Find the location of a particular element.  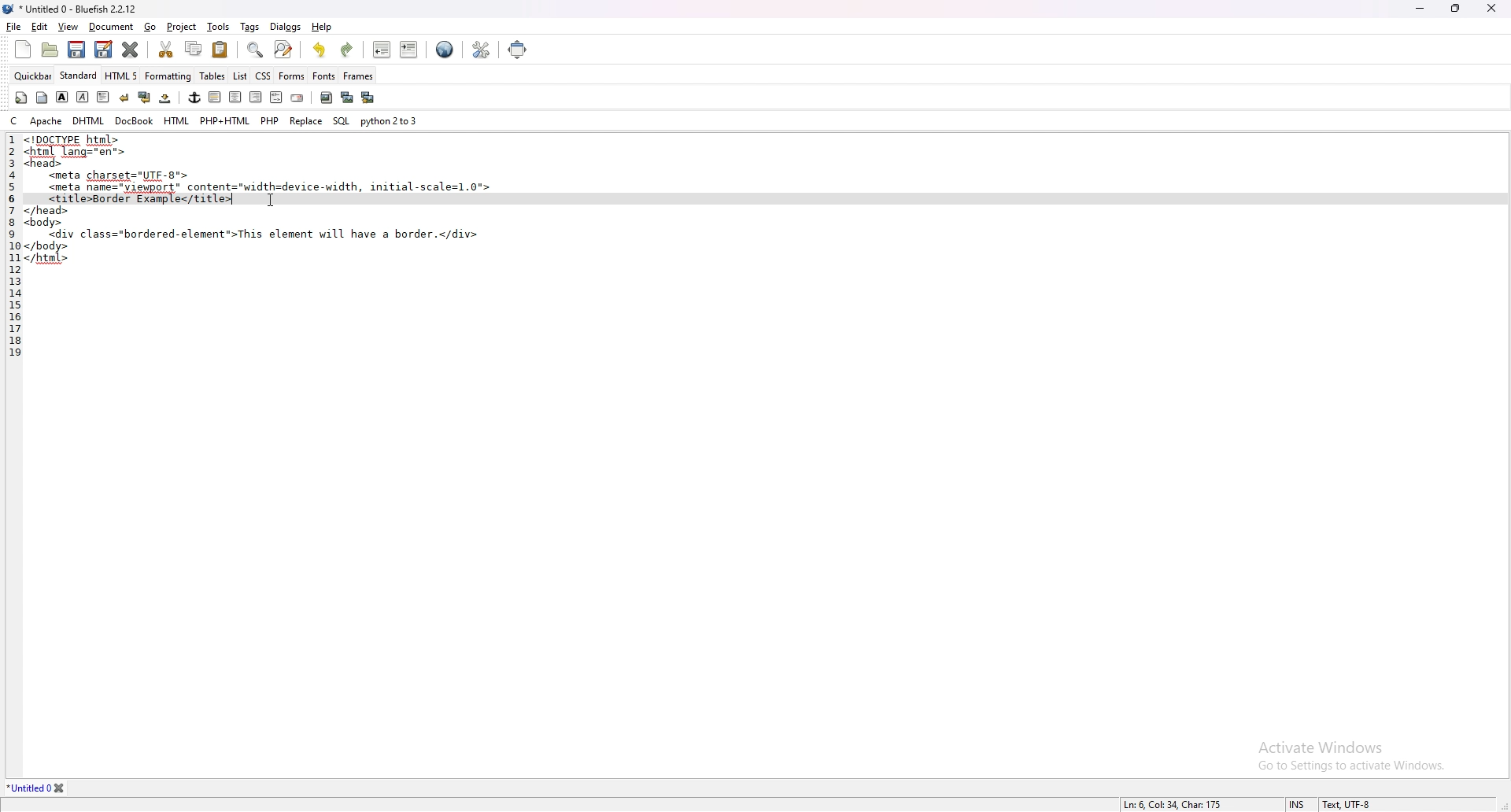

redo is located at coordinates (345, 50).